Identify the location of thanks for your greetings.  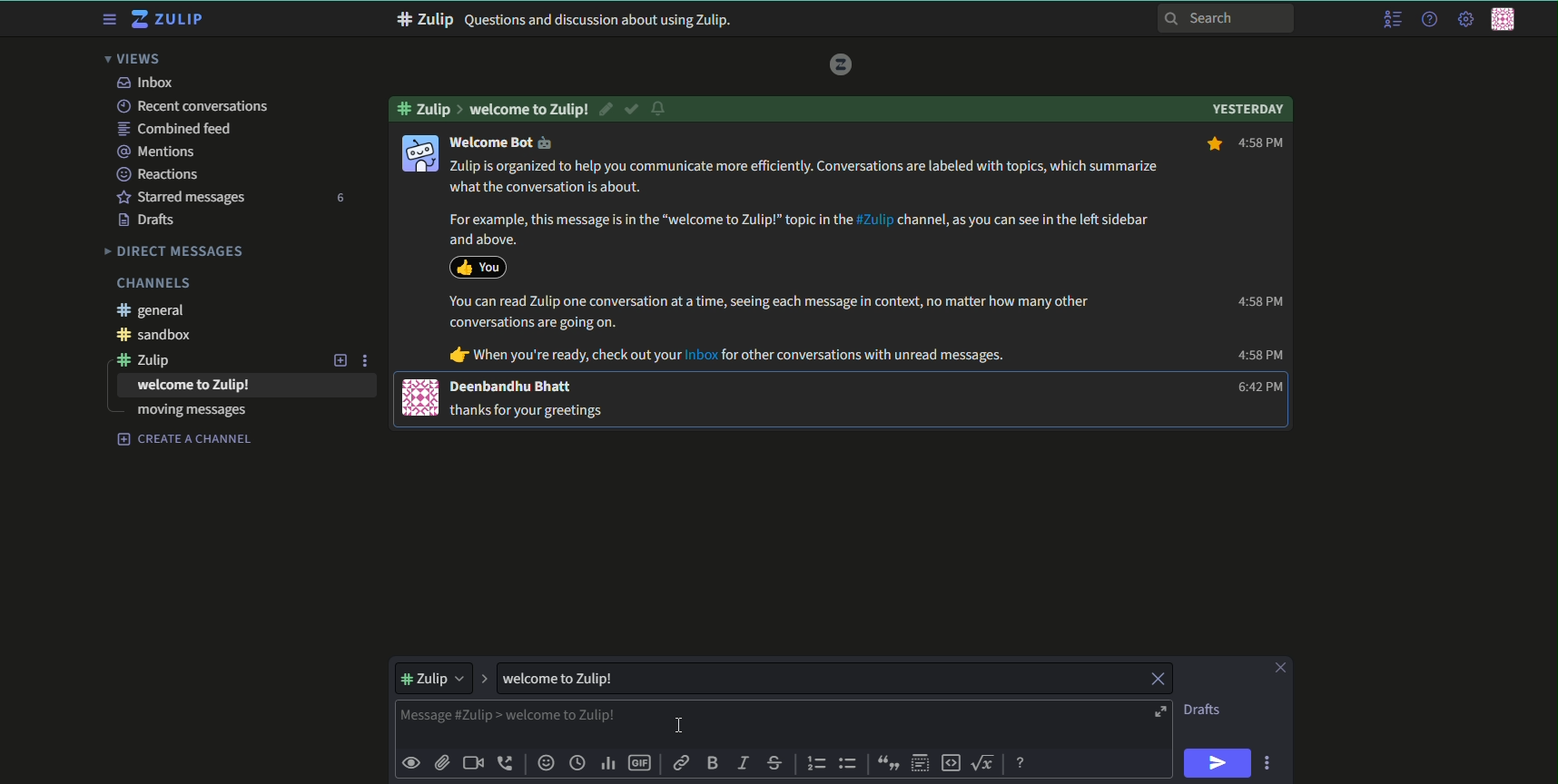
(531, 409).